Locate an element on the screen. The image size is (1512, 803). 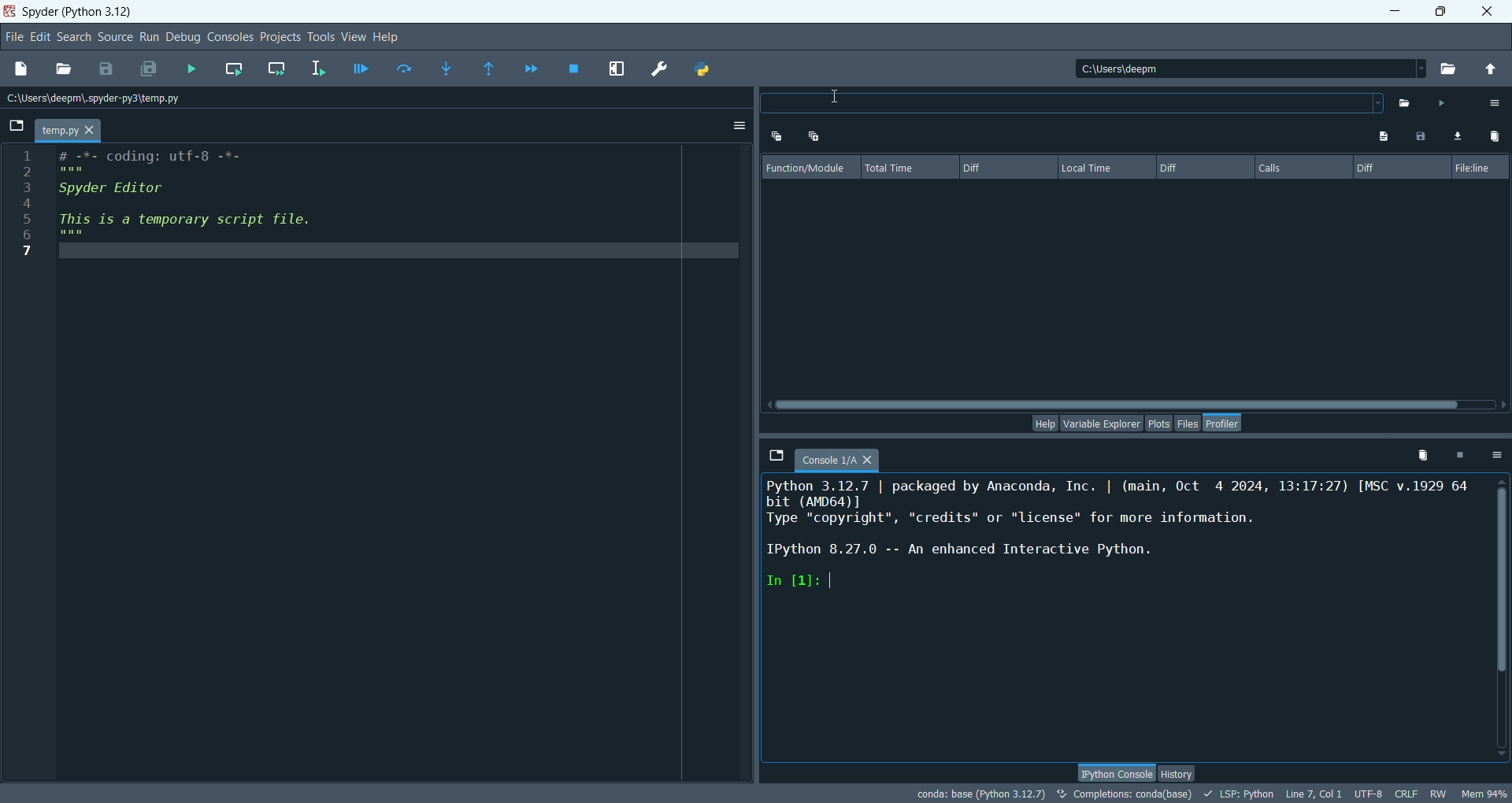
tools is located at coordinates (323, 39).